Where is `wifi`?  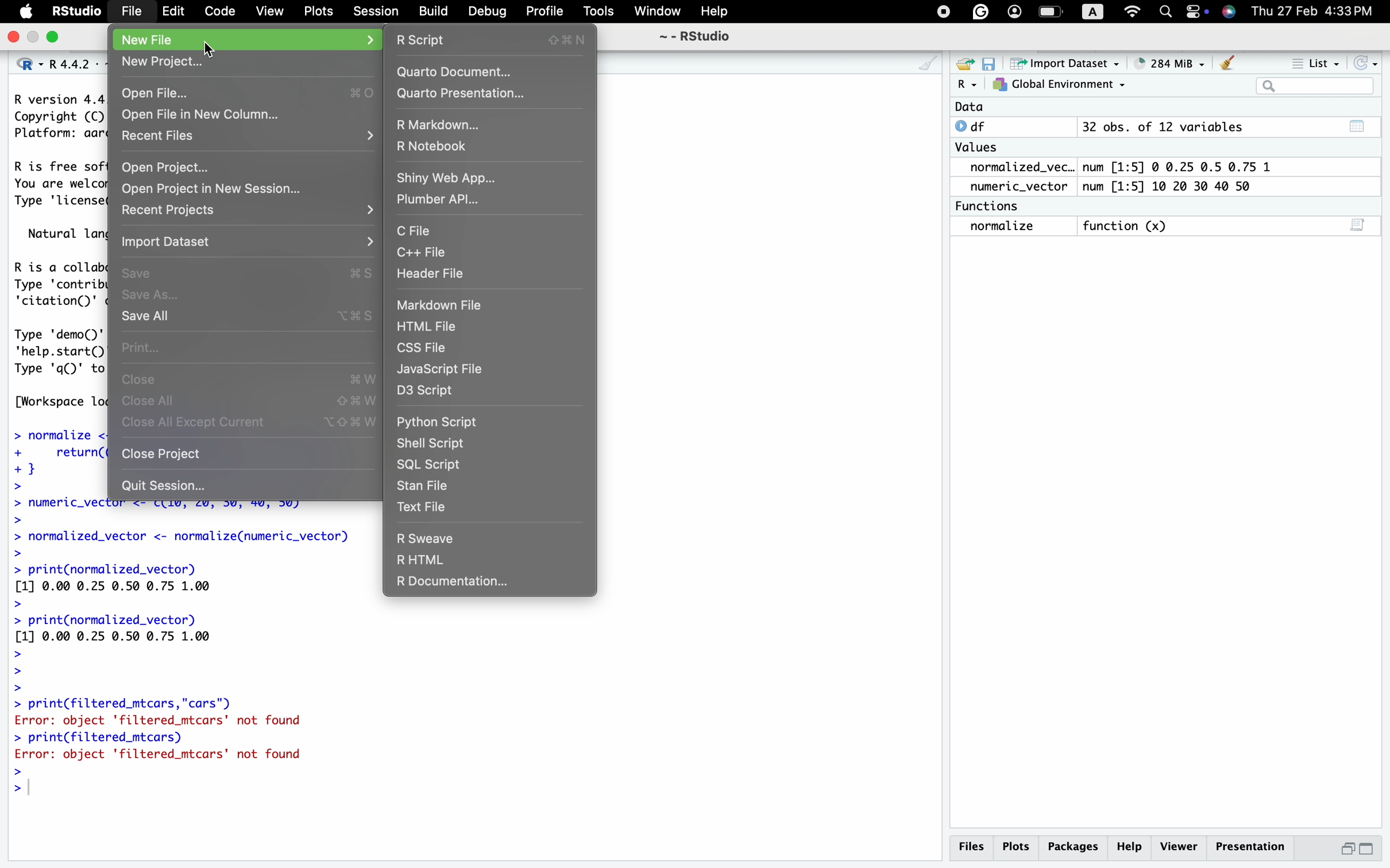
wifi is located at coordinates (1133, 11).